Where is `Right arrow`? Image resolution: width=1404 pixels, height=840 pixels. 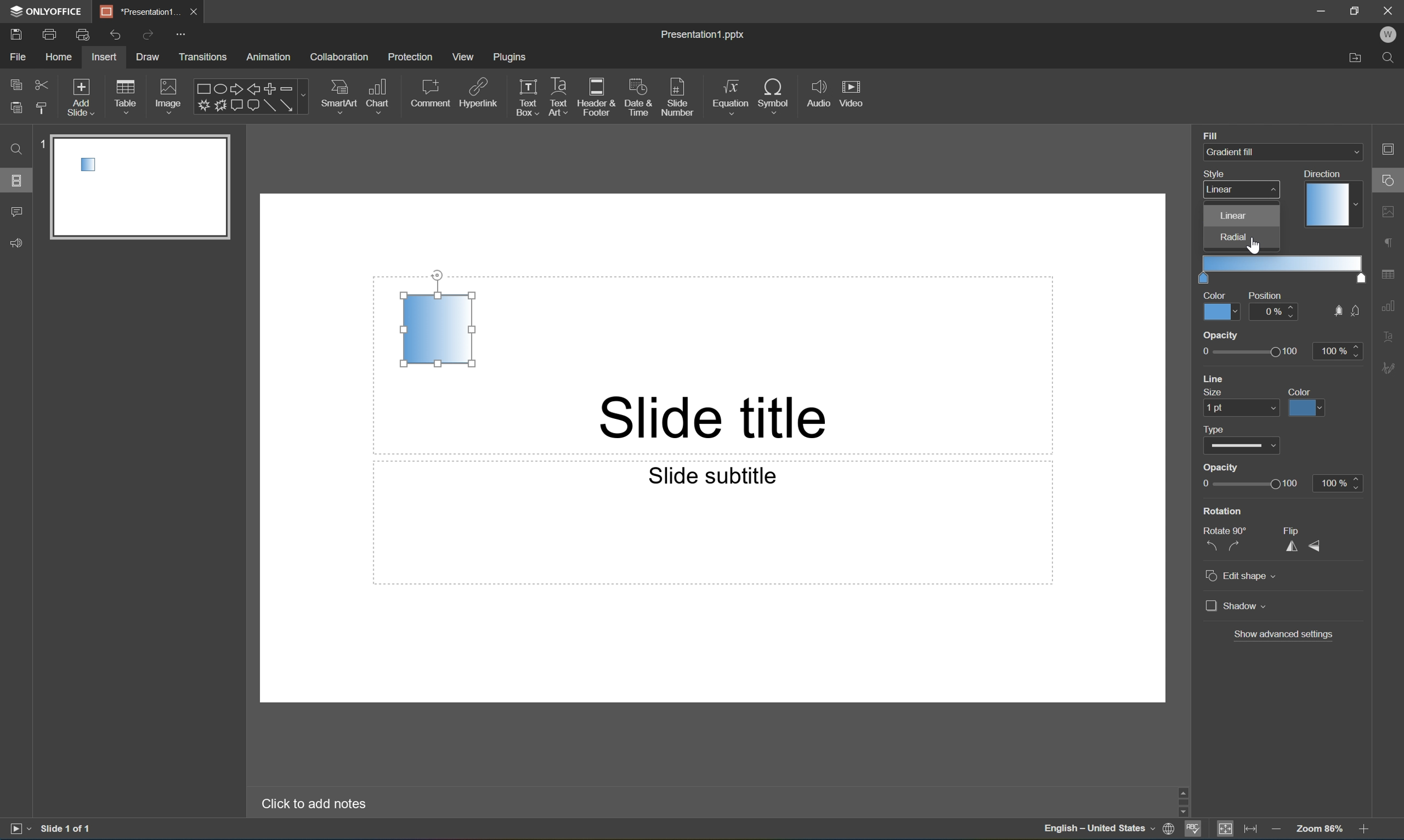
Right arrow is located at coordinates (234, 89).